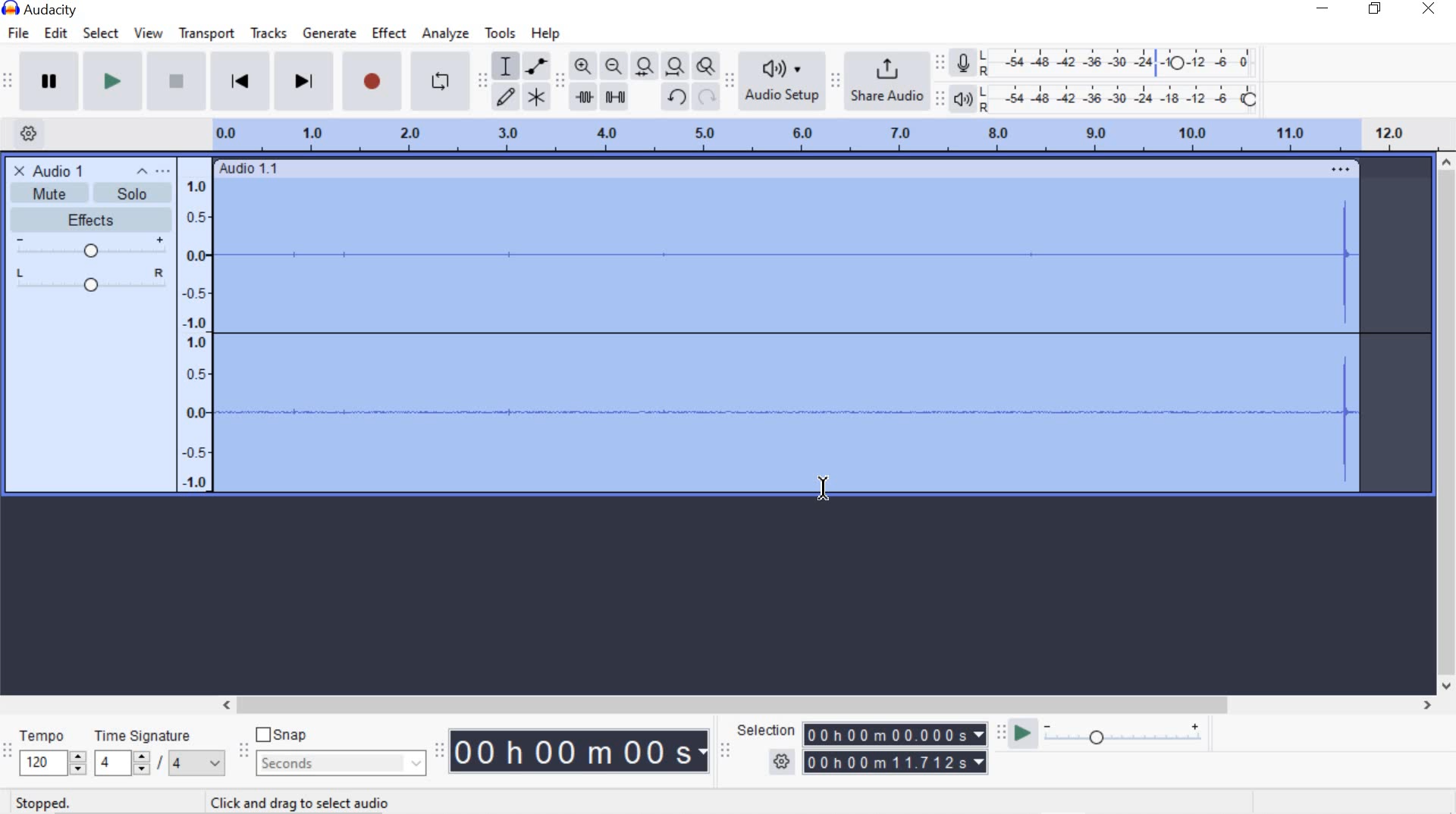 This screenshot has height=814, width=1456. What do you see at coordinates (1125, 59) in the screenshot?
I see `Recording level` at bounding box center [1125, 59].